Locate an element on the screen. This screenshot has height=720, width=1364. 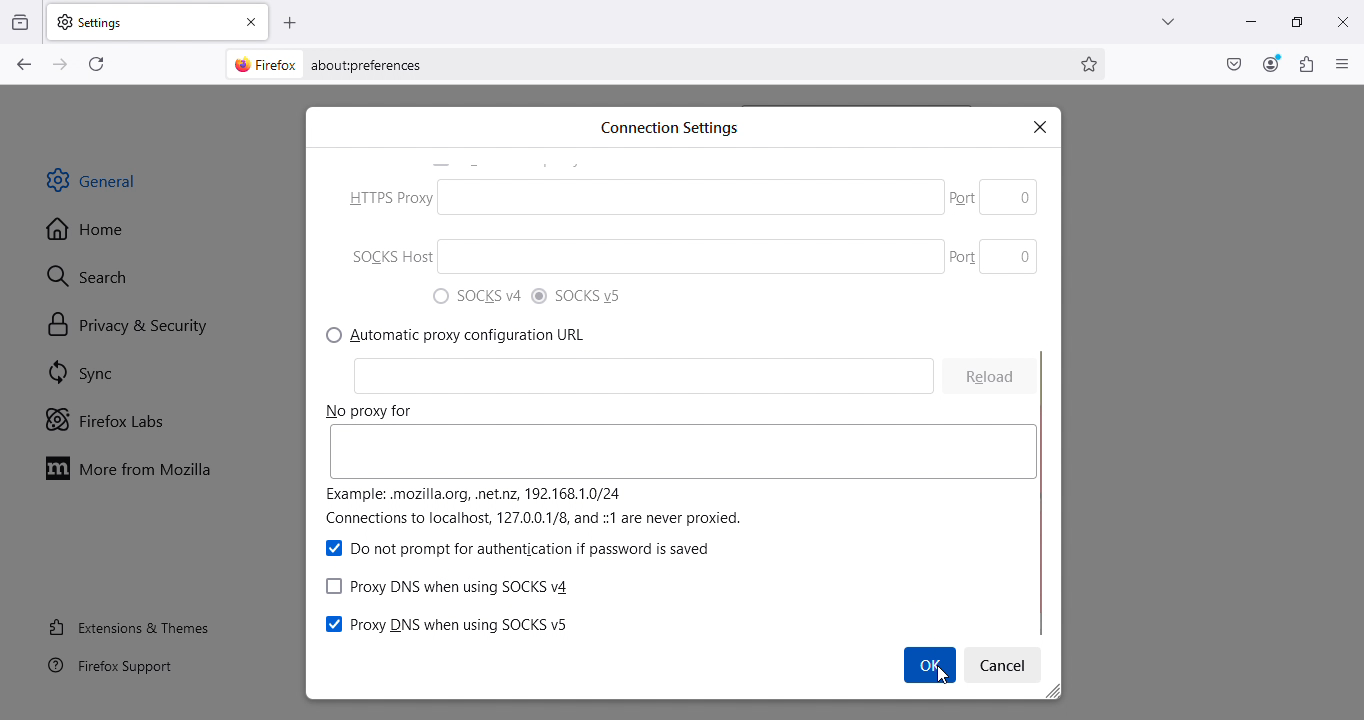
Maximize is located at coordinates (1294, 20).